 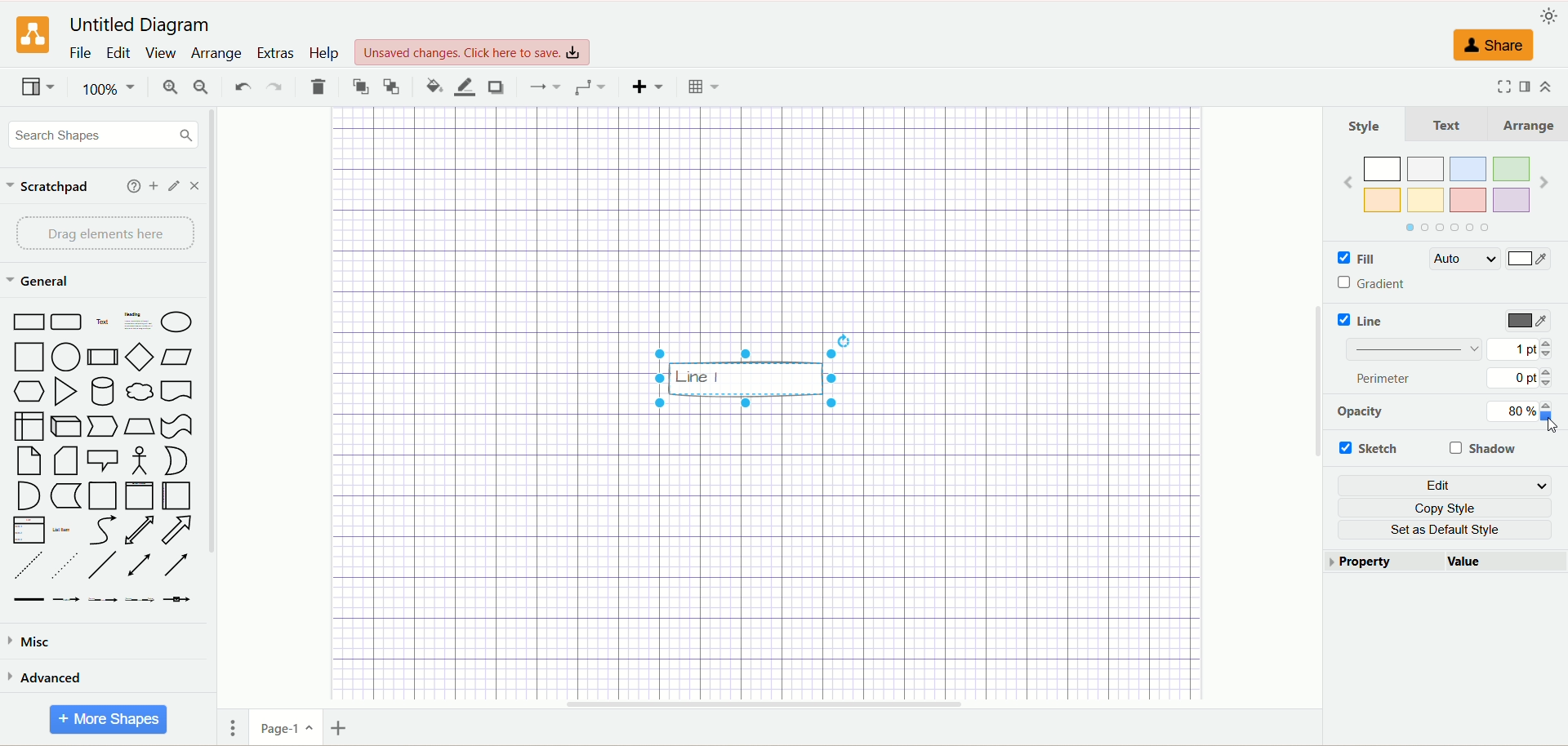 I want to click on copy style, so click(x=1445, y=507).